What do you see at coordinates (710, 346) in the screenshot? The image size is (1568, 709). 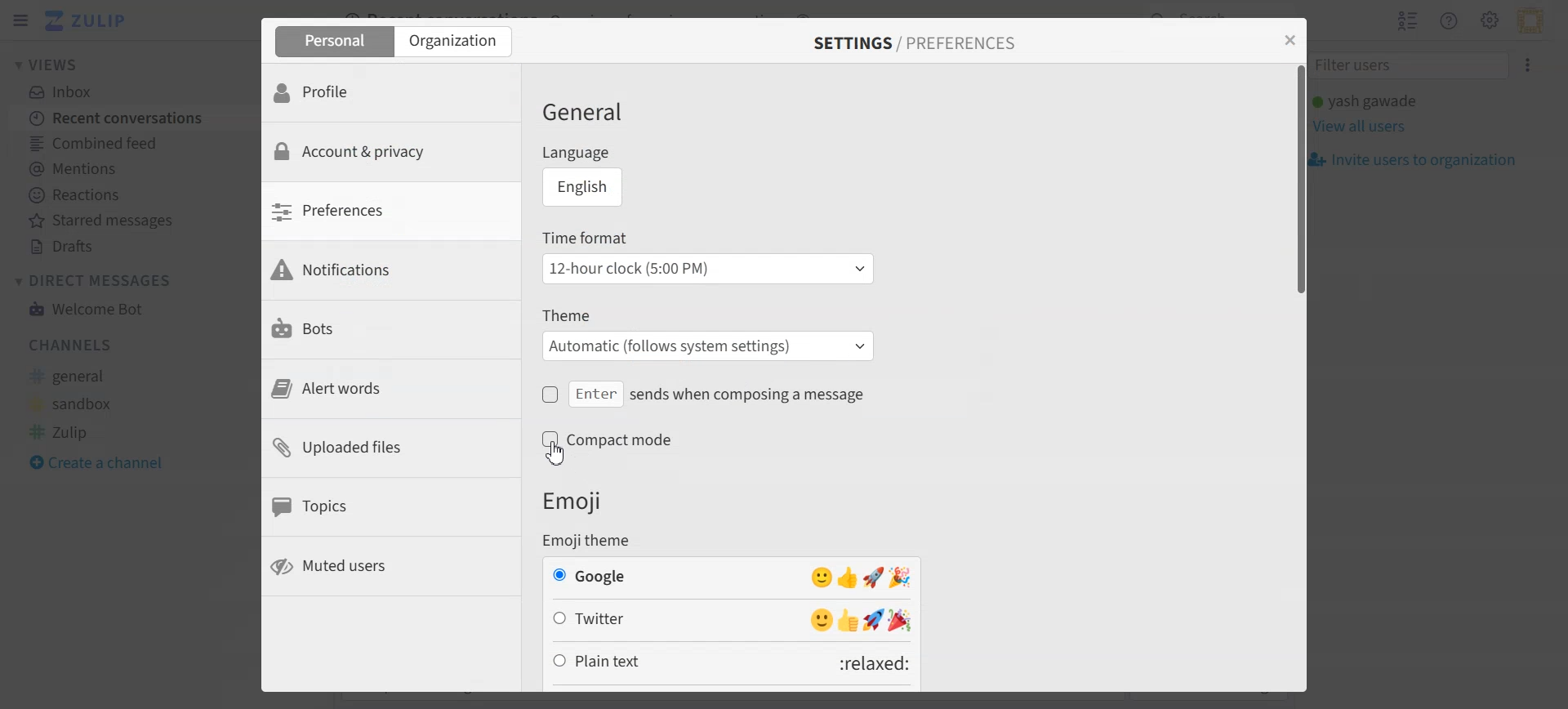 I see `Automatic (follows system settings)` at bounding box center [710, 346].